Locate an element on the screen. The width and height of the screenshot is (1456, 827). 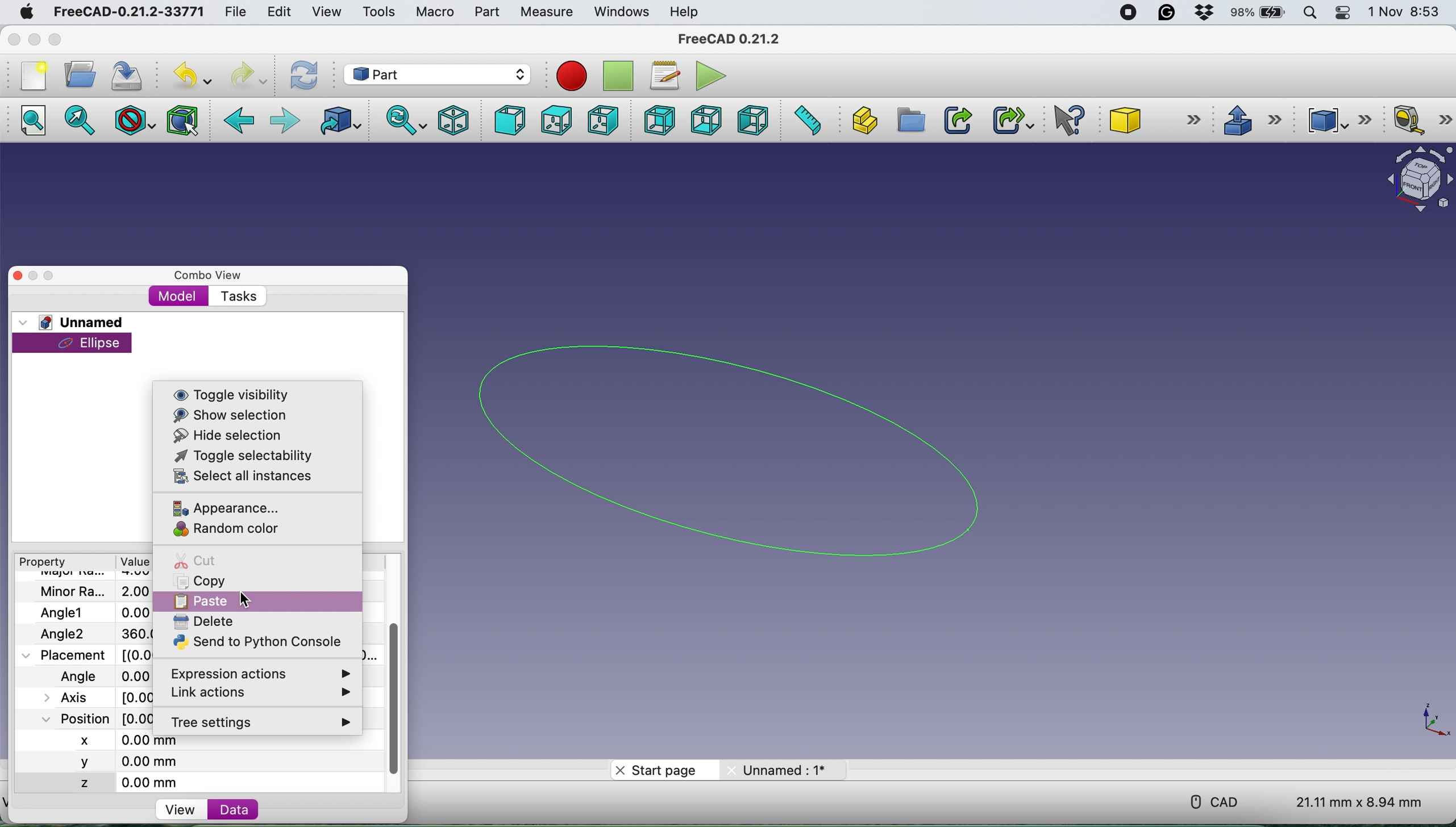
battery is located at coordinates (1257, 14).